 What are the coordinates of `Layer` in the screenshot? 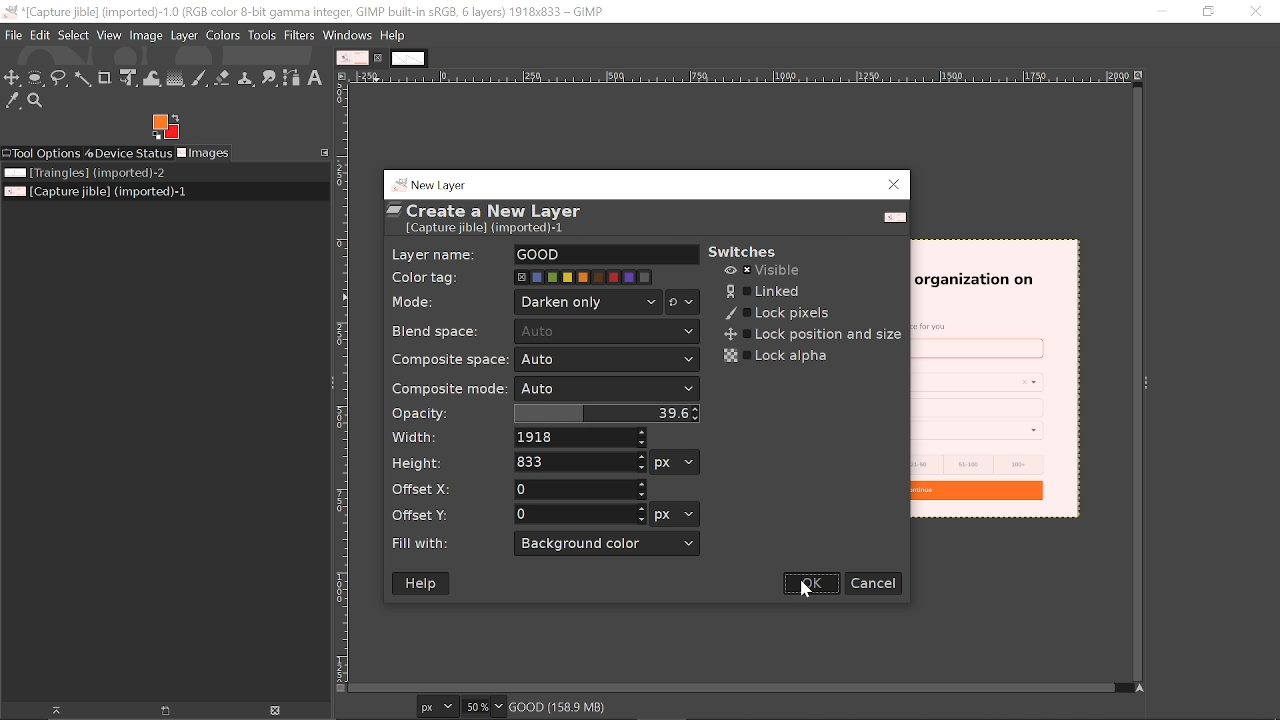 It's located at (185, 35).